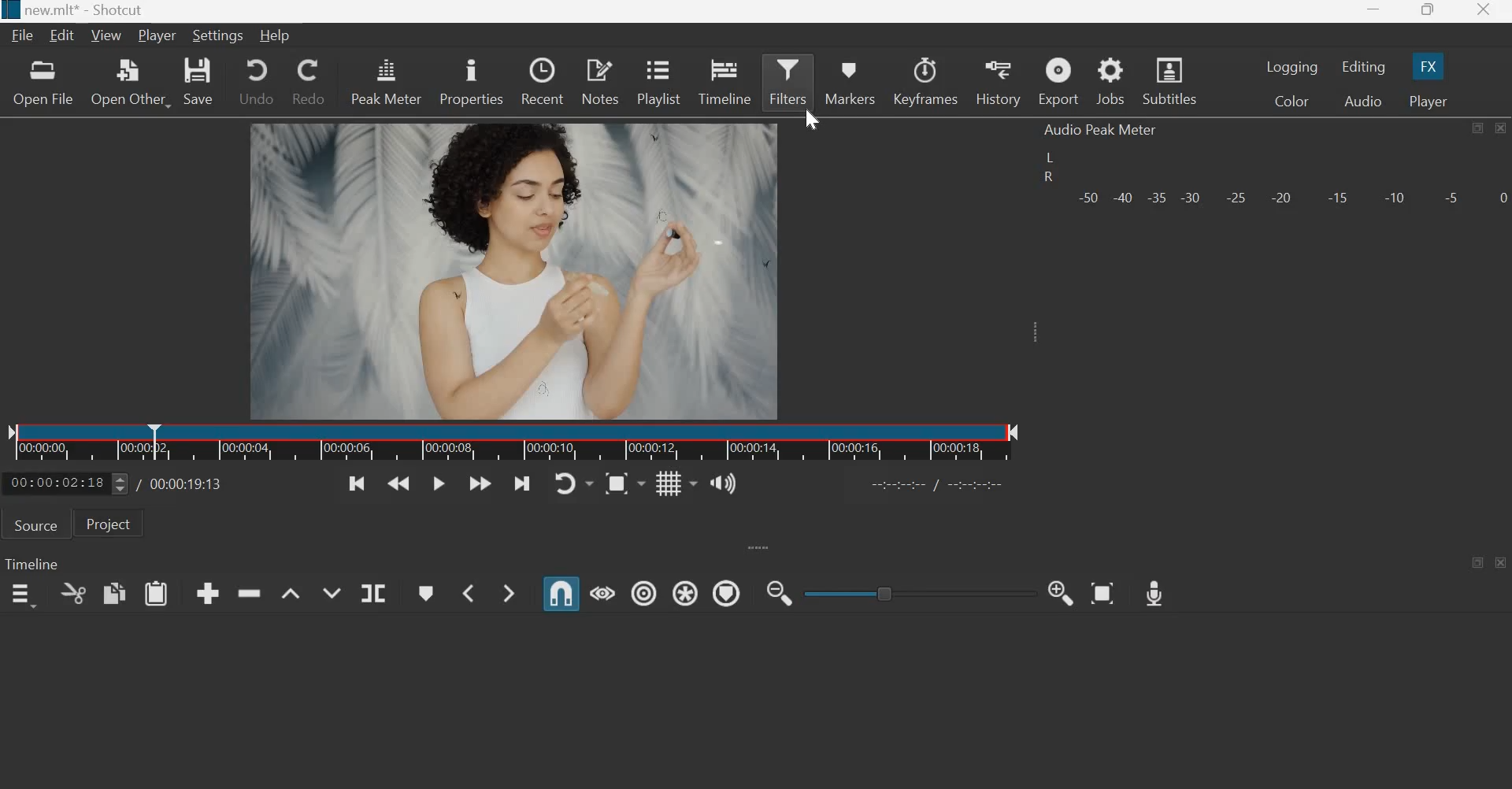 The image size is (1512, 789). What do you see at coordinates (1502, 128) in the screenshot?
I see `Close` at bounding box center [1502, 128].